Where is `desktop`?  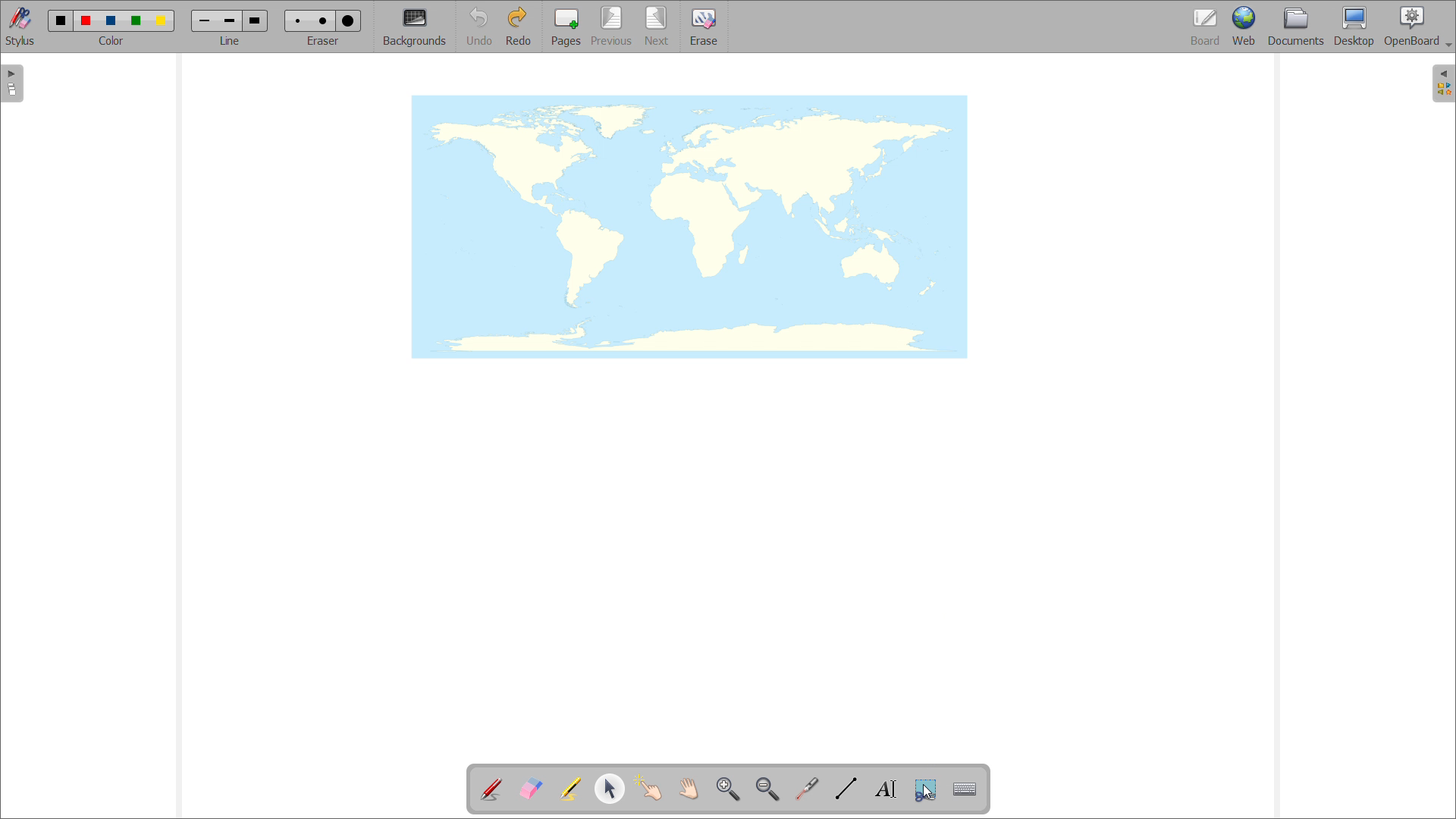 desktop is located at coordinates (1354, 26).